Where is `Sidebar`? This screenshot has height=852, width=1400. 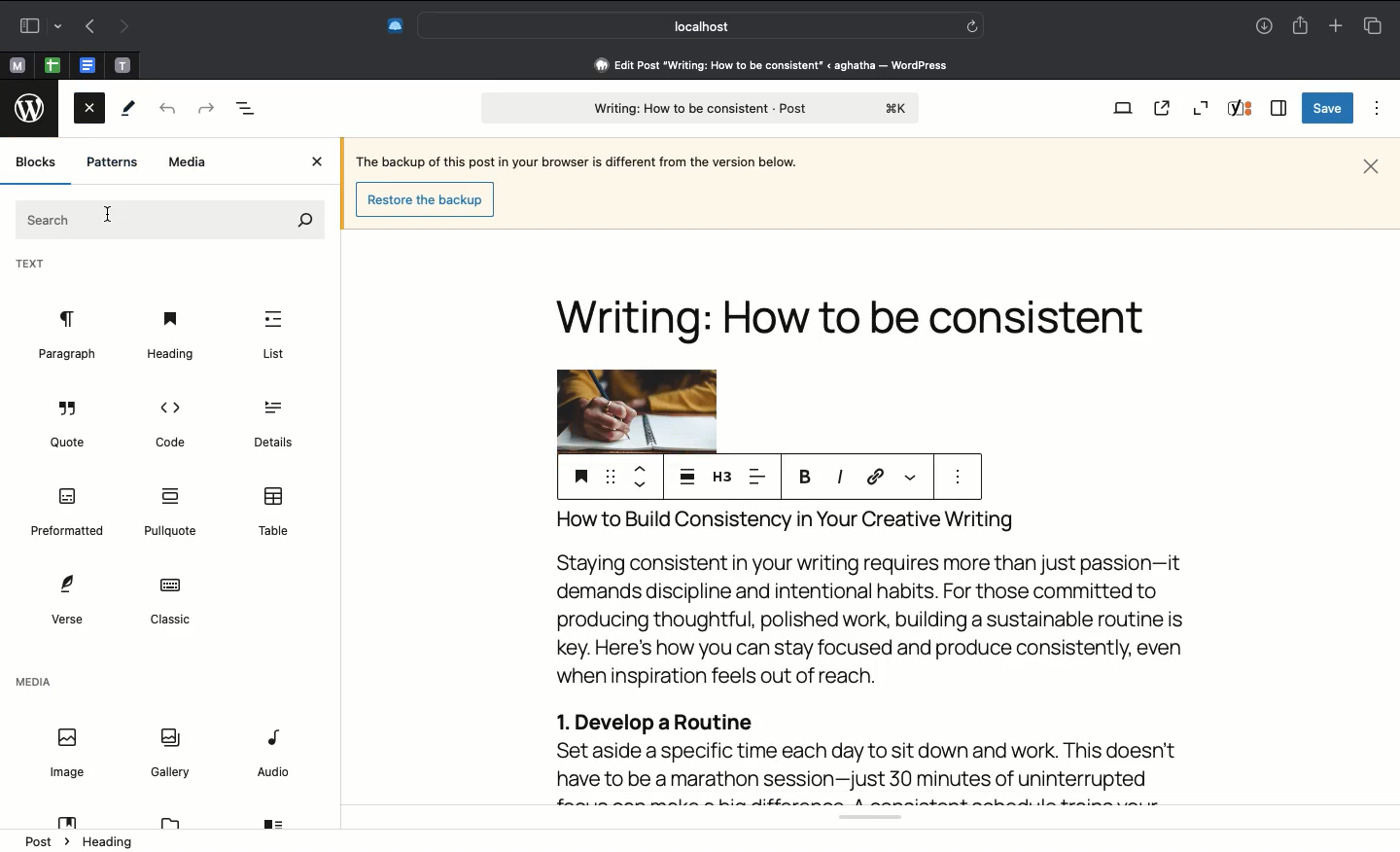 Sidebar is located at coordinates (1279, 107).